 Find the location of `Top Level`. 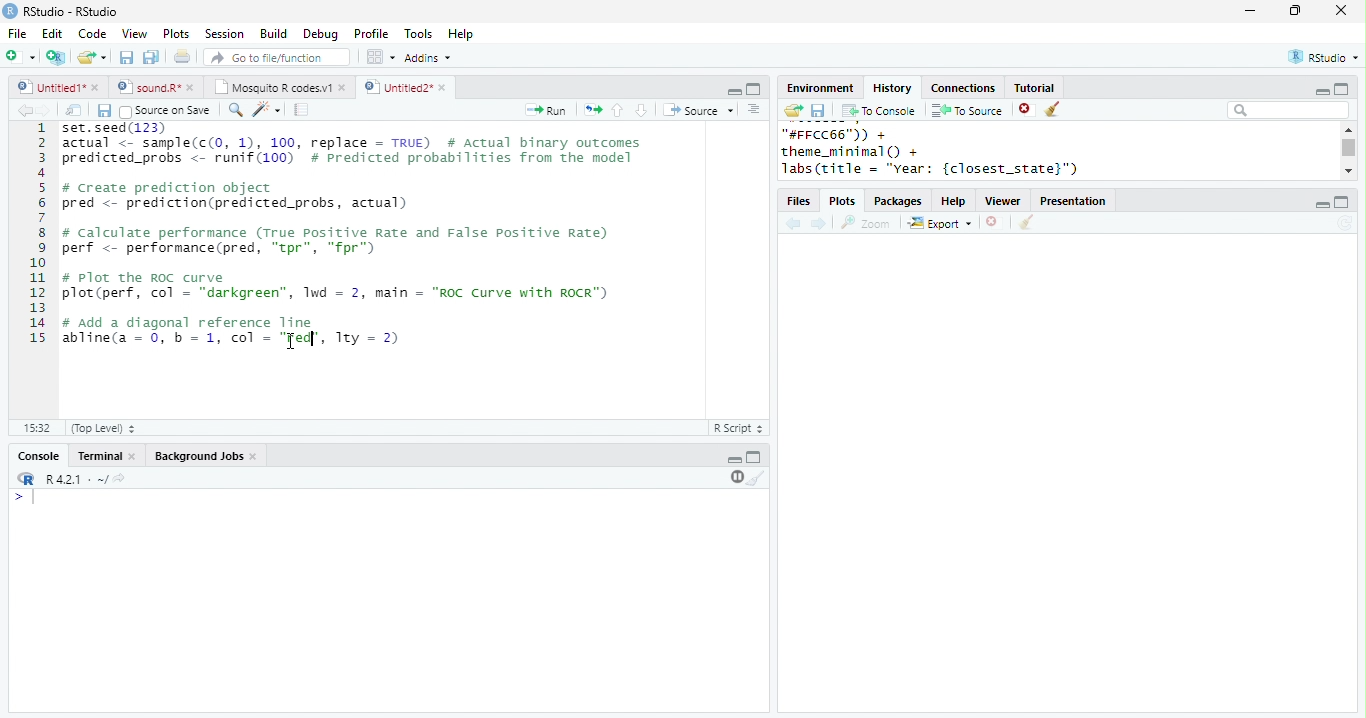

Top Level is located at coordinates (105, 428).